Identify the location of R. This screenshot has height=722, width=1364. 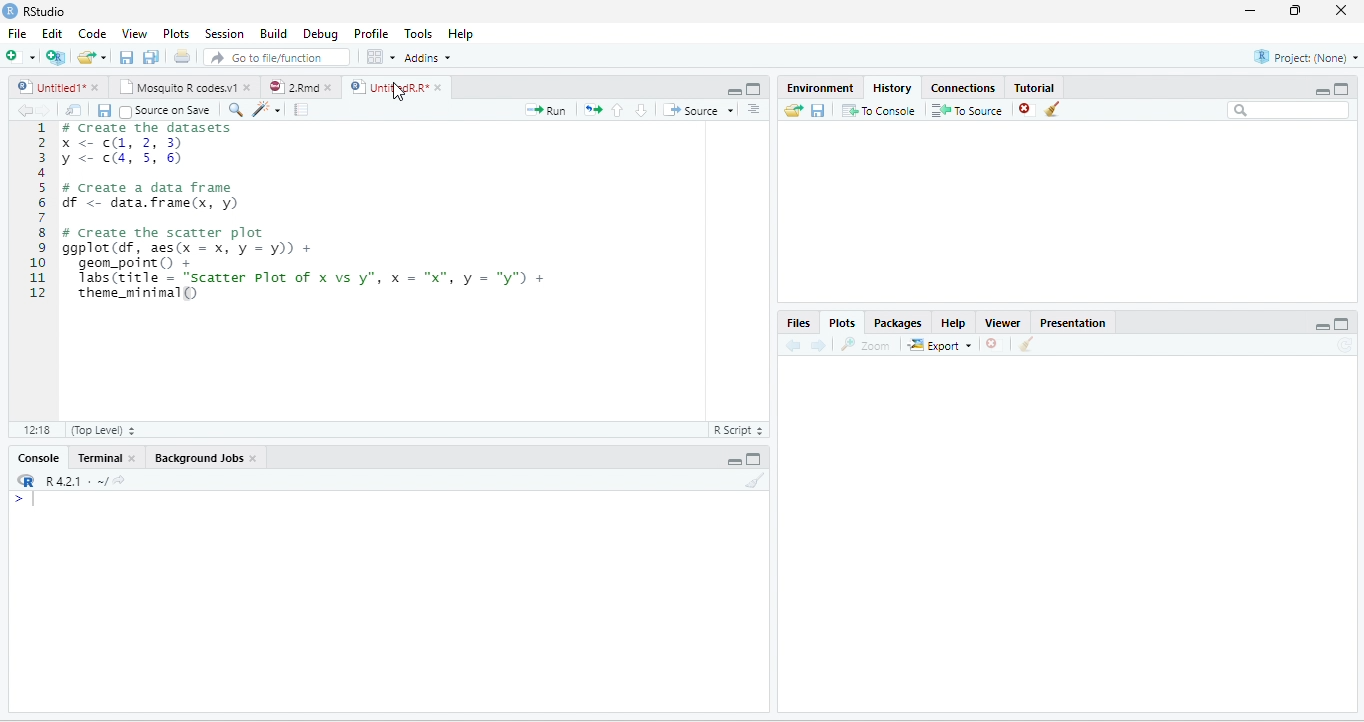
(25, 480).